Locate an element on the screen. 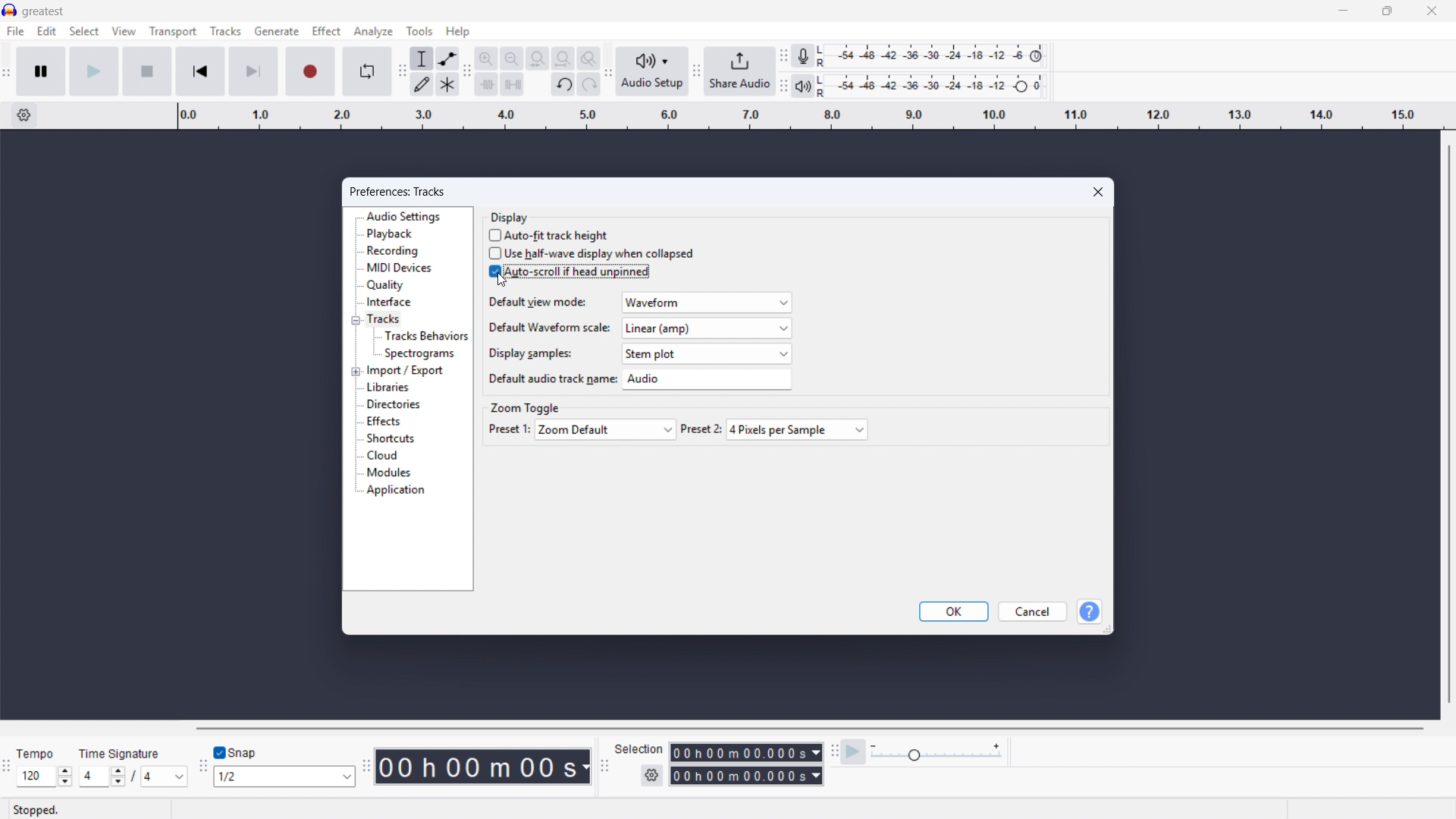 This screenshot has width=1456, height=819. Silence audio selection  is located at coordinates (512, 84).